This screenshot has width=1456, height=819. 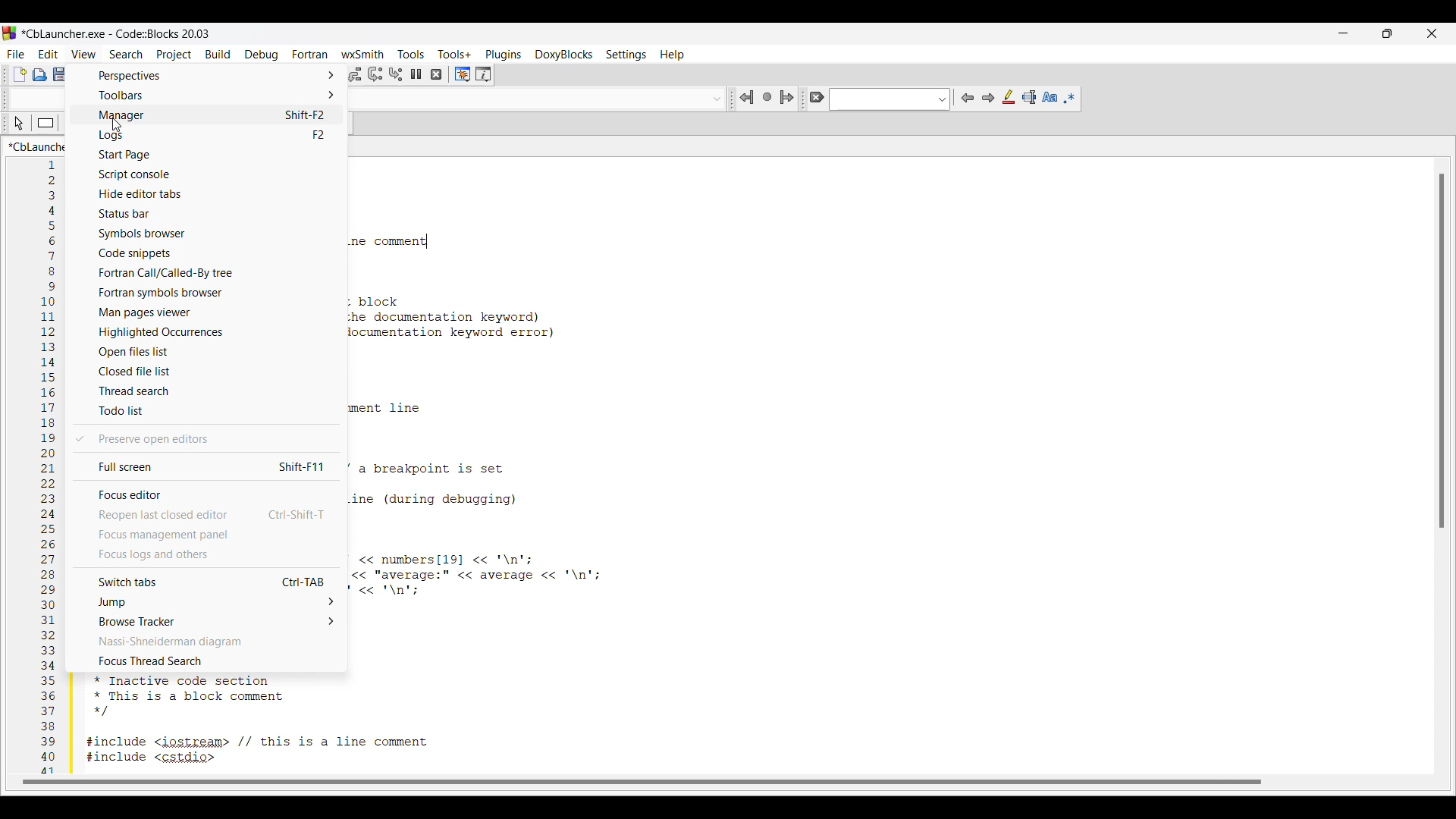 I want to click on Perspective options, so click(x=206, y=76).